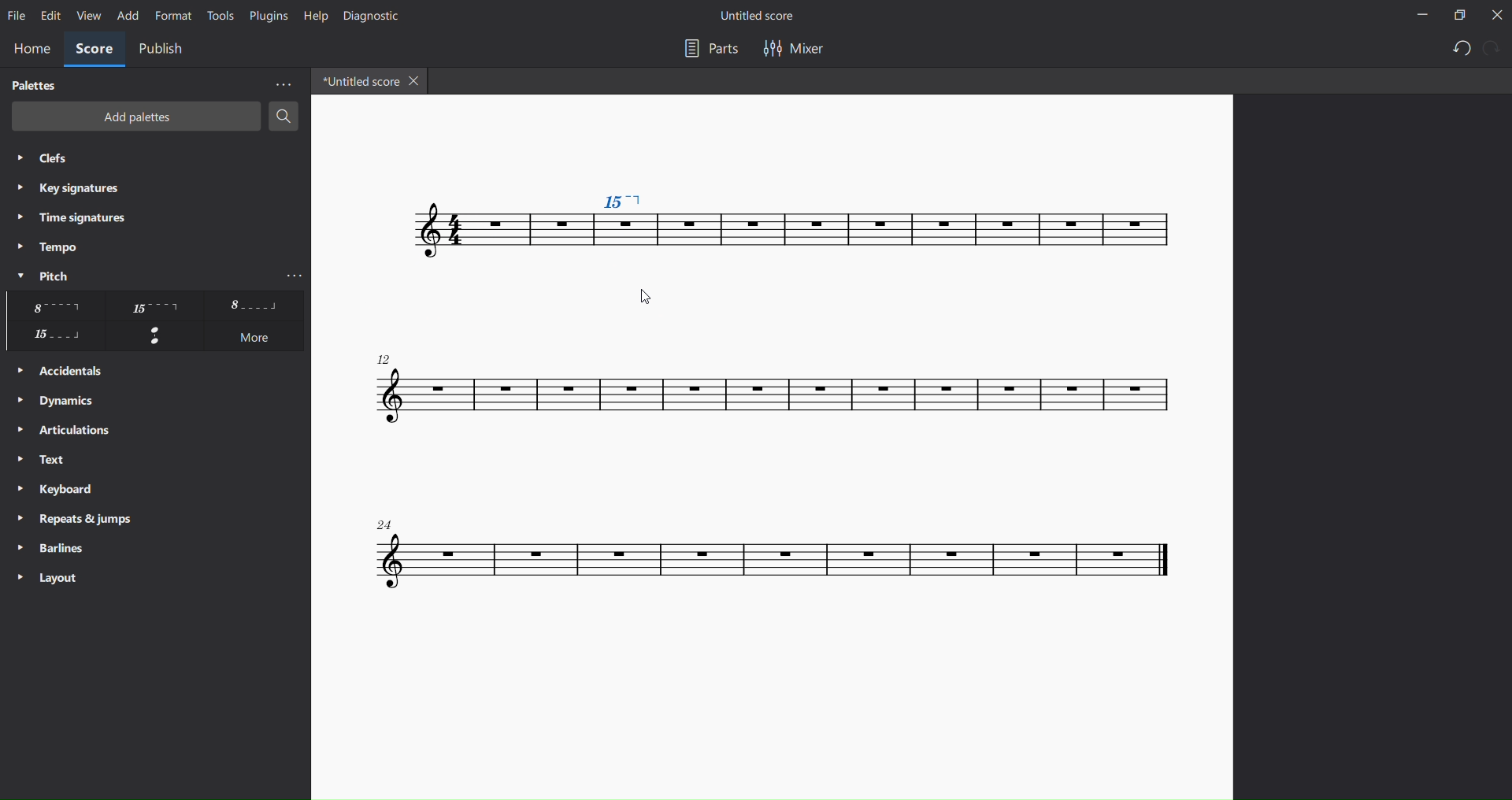 The height and width of the screenshot is (800, 1512). Describe the element at coordinates (220, 16) in the screenshot. I see `tools` at that location.